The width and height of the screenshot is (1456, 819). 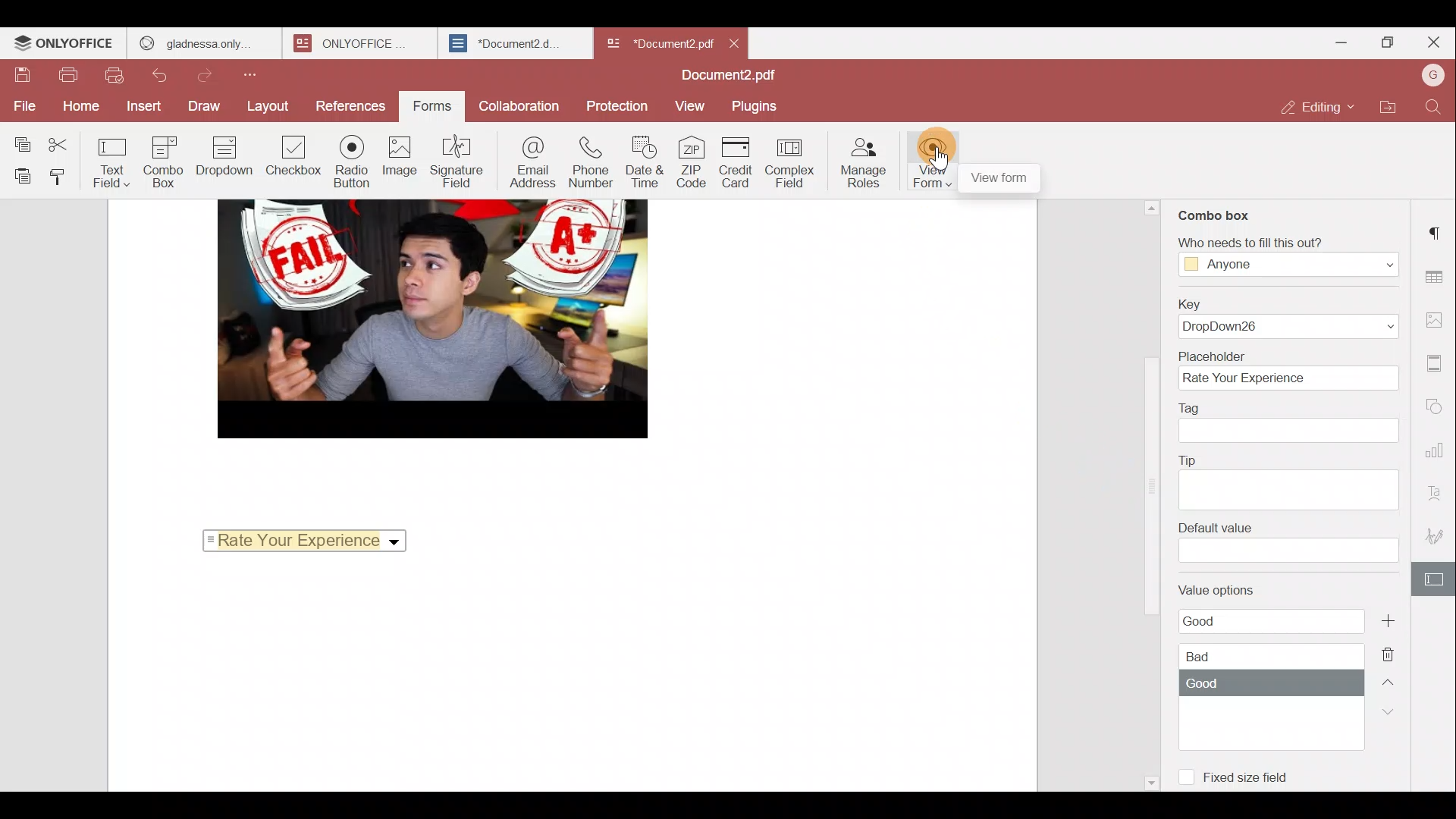 What do you see at coordinates (930, 160) in the screenshot?
I see `View form` at bounding box center [930, 160].